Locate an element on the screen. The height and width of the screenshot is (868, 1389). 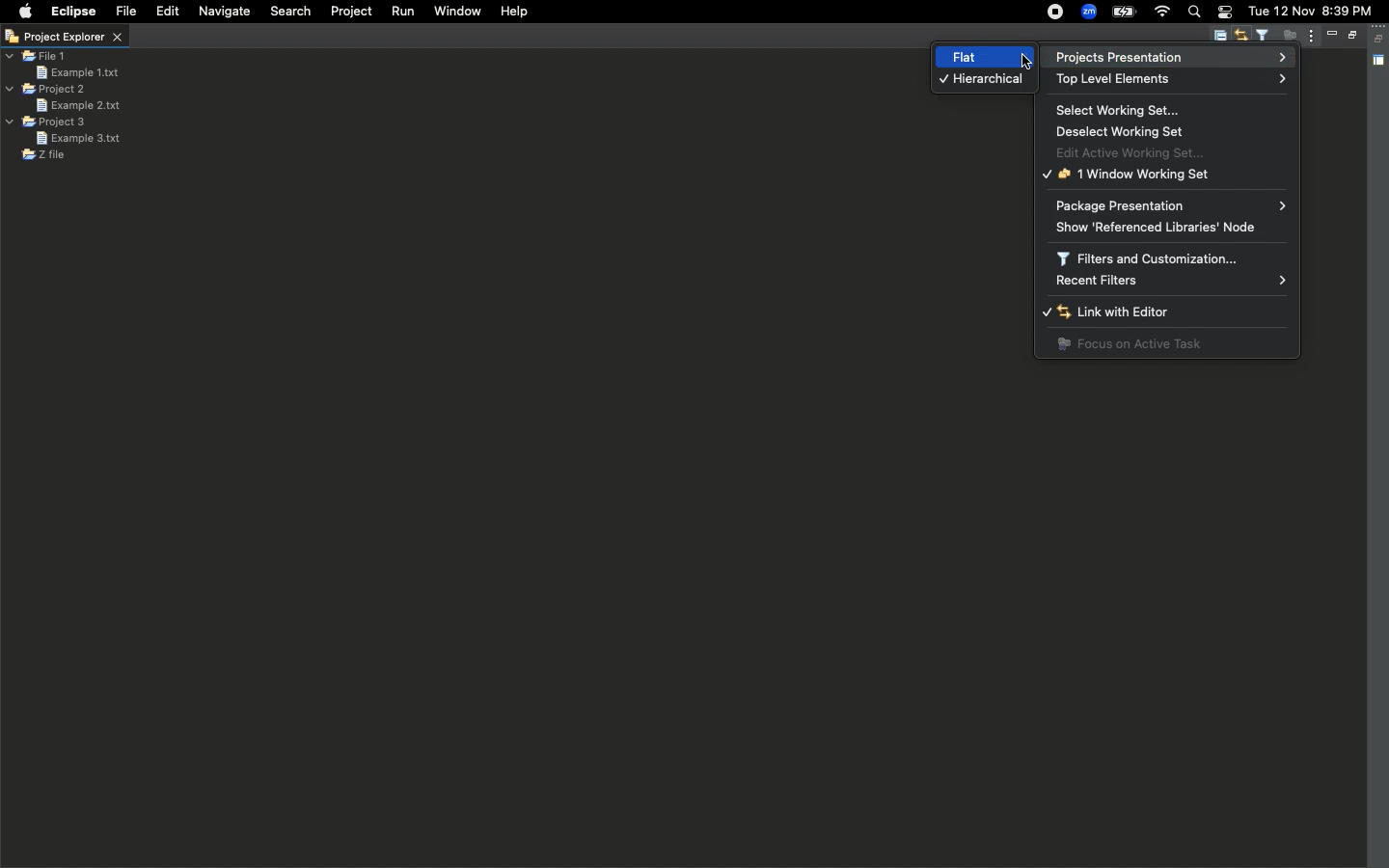
File is located at coordinates (126, 12).